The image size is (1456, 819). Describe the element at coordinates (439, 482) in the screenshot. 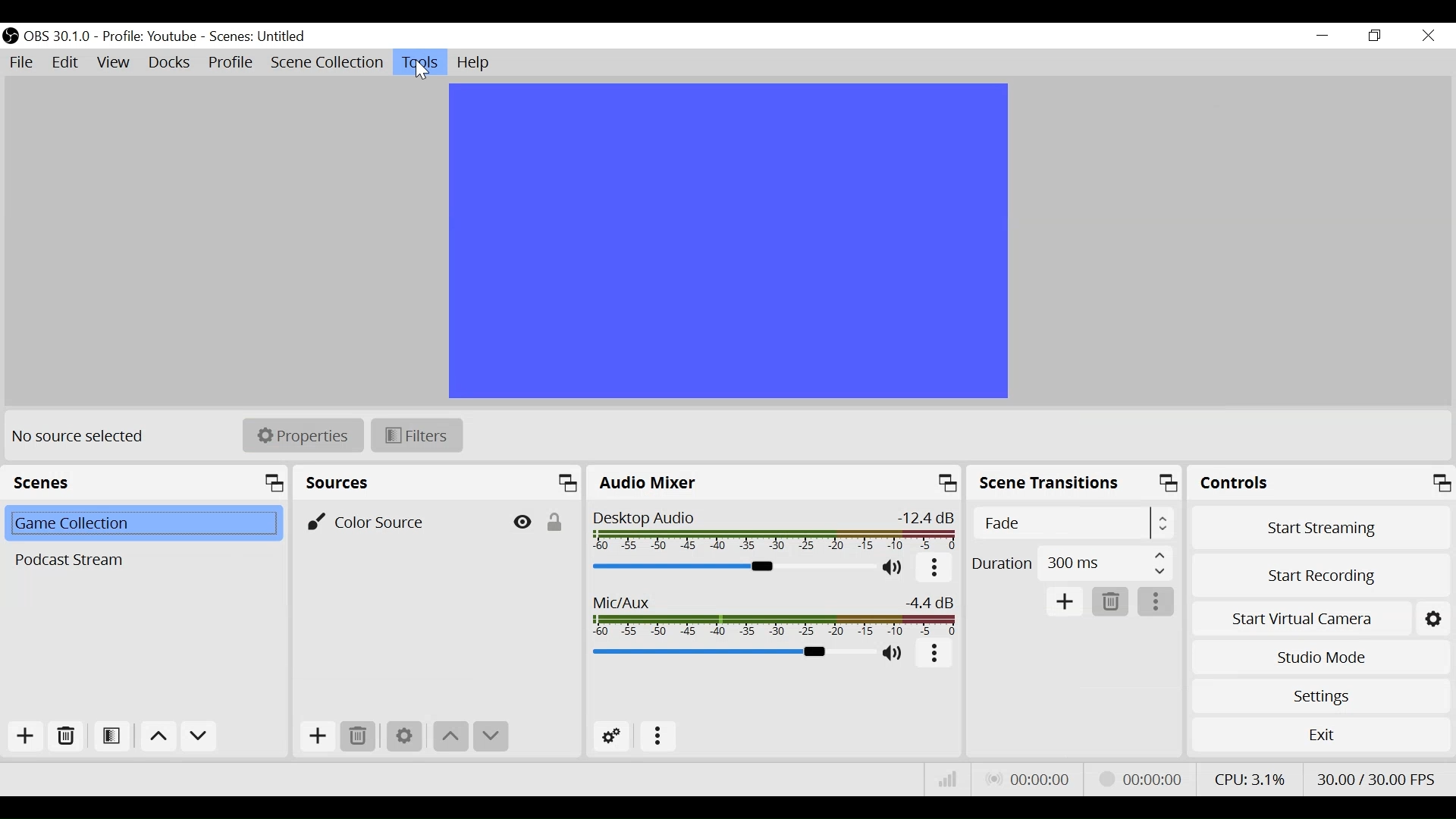

I see `Sources` at that location.